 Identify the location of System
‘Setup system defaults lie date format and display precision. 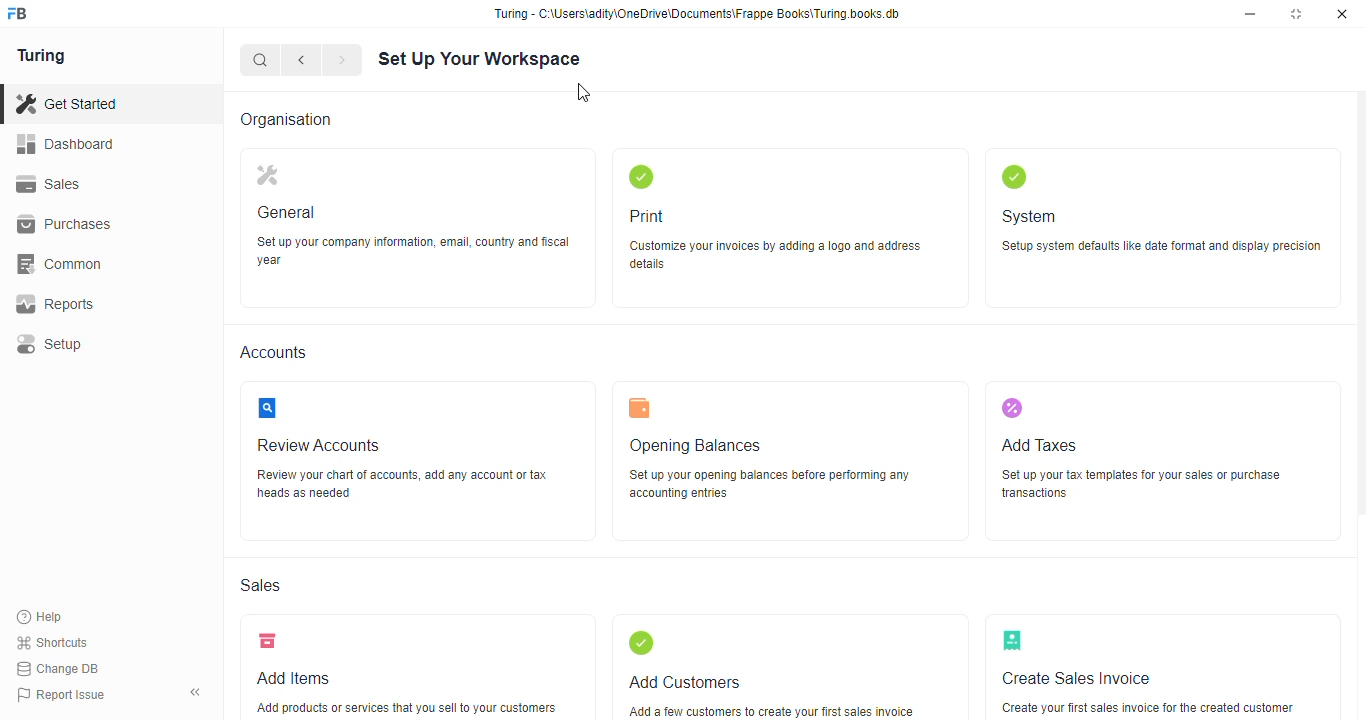
(1159, 227).